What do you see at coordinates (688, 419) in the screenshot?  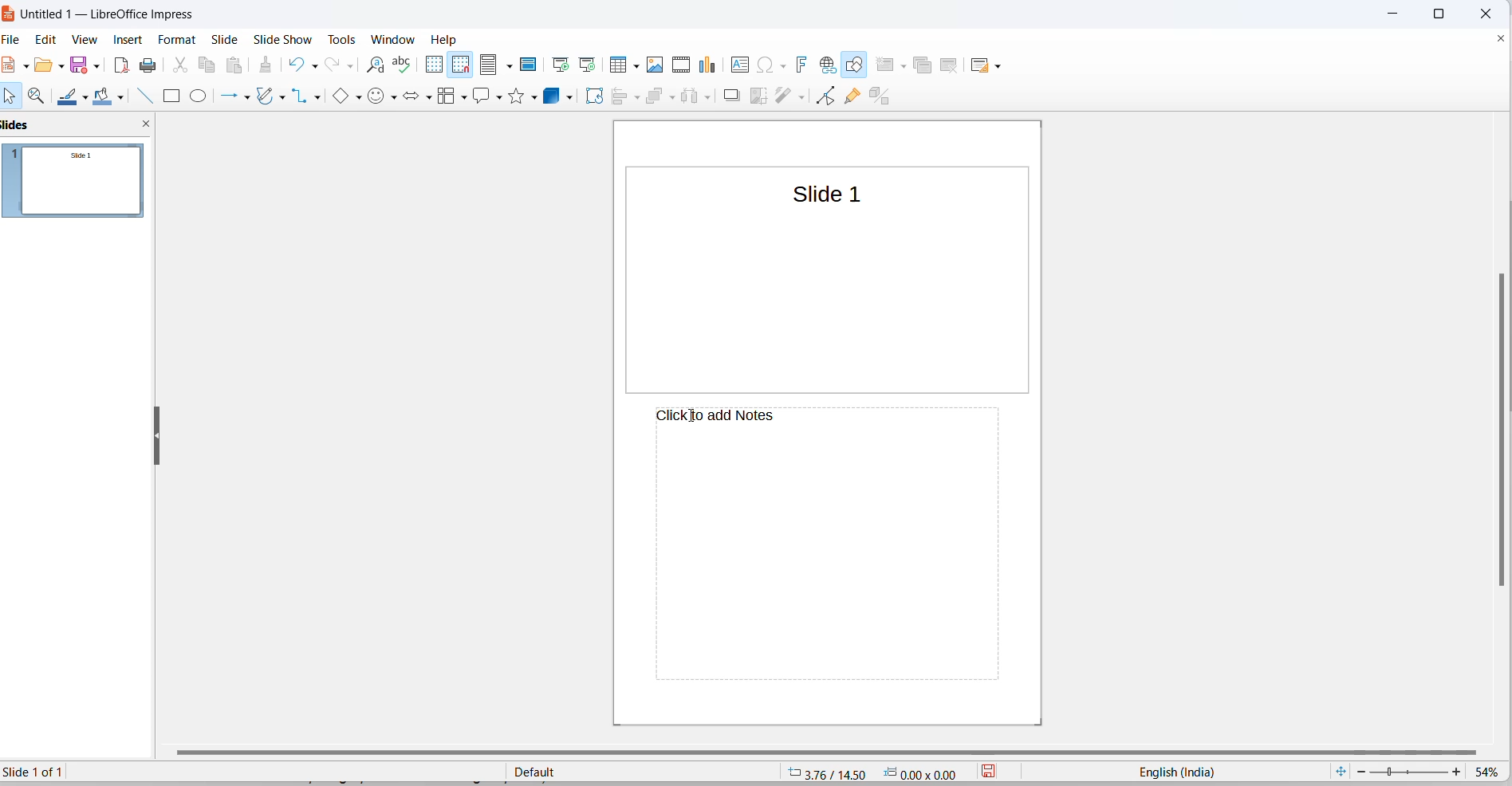 I see `cursor` at bounding box center [688, 419].